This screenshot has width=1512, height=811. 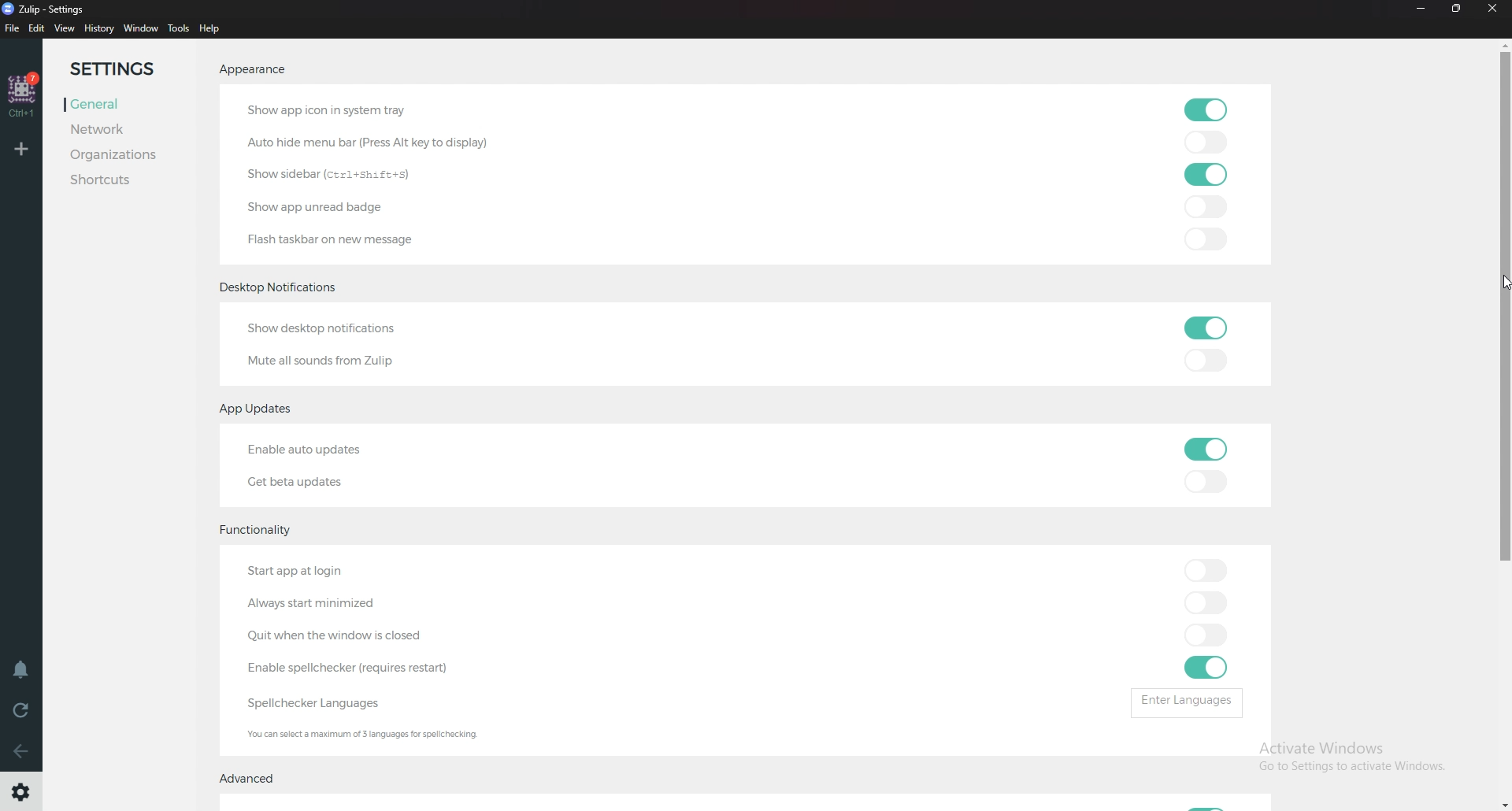 What do you see at coordinates (1205, 602) in the screenshot?
I see `toggle` at bounding box center [1205, 602].